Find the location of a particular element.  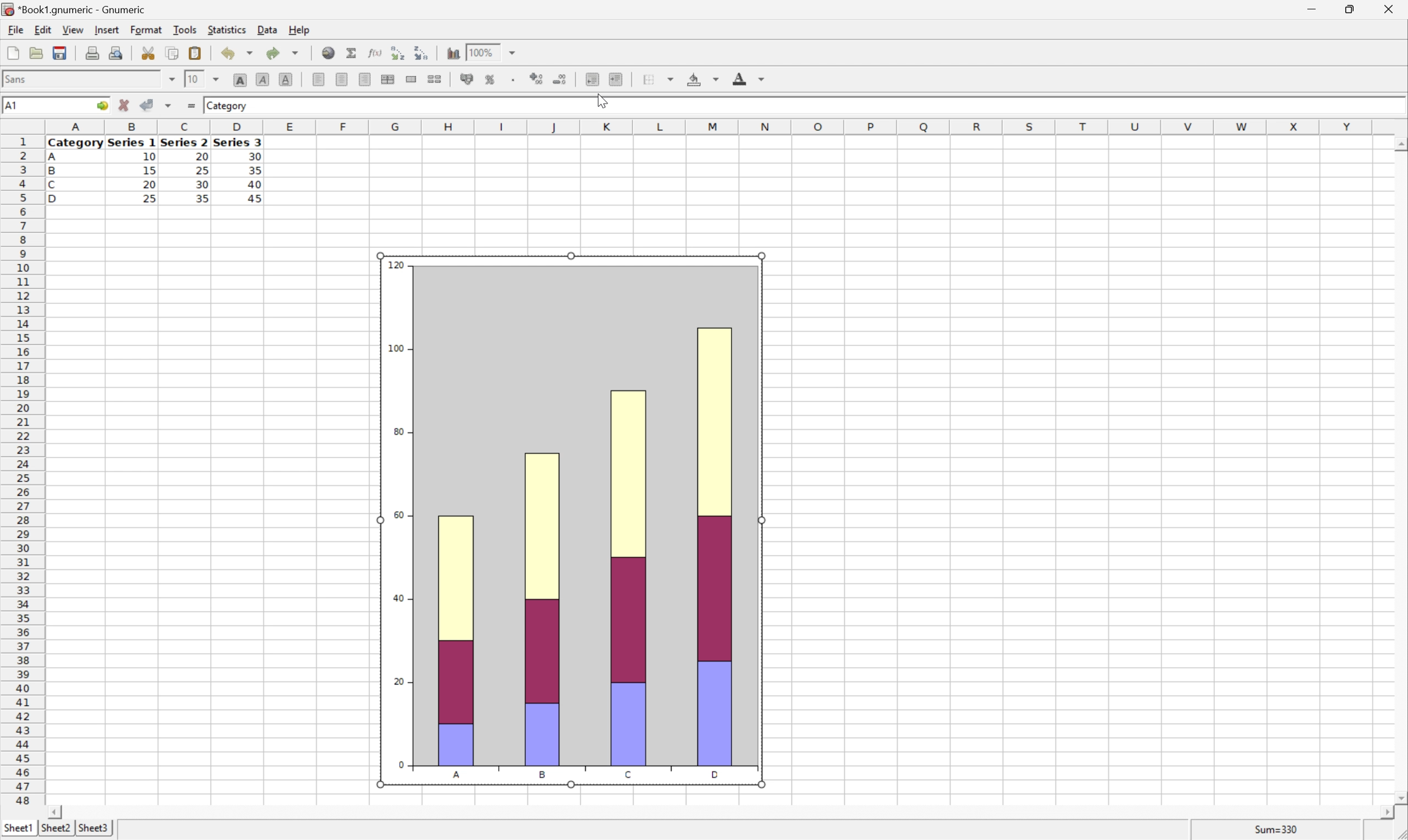

Scroll Right is located at coordinates (1383, 813).